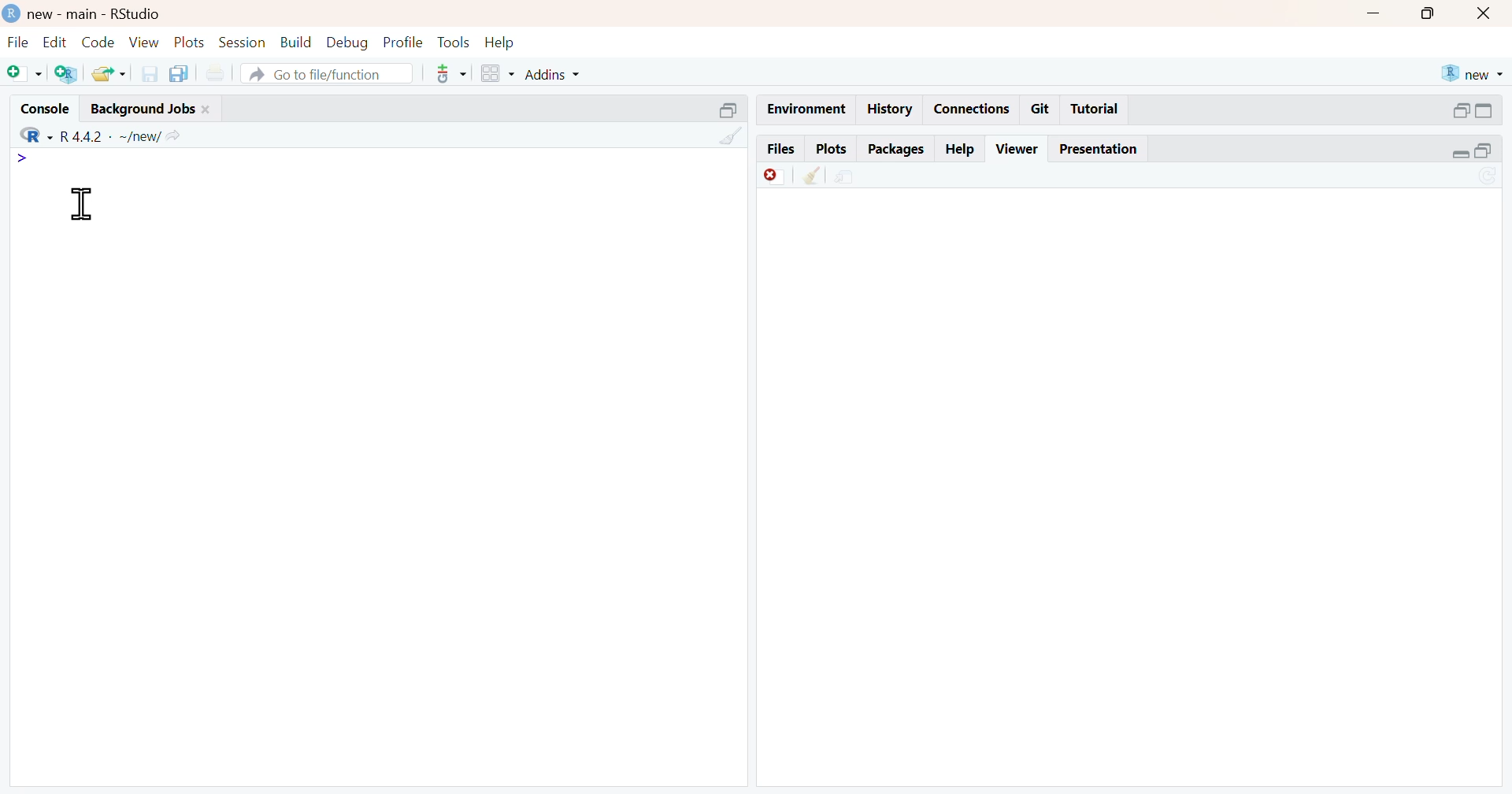 Image resolution: width=1512 pixels, height=794 pixels. Describe the element at coordinates (1490, 151) in the screenshot. I see `collapse` at that location.